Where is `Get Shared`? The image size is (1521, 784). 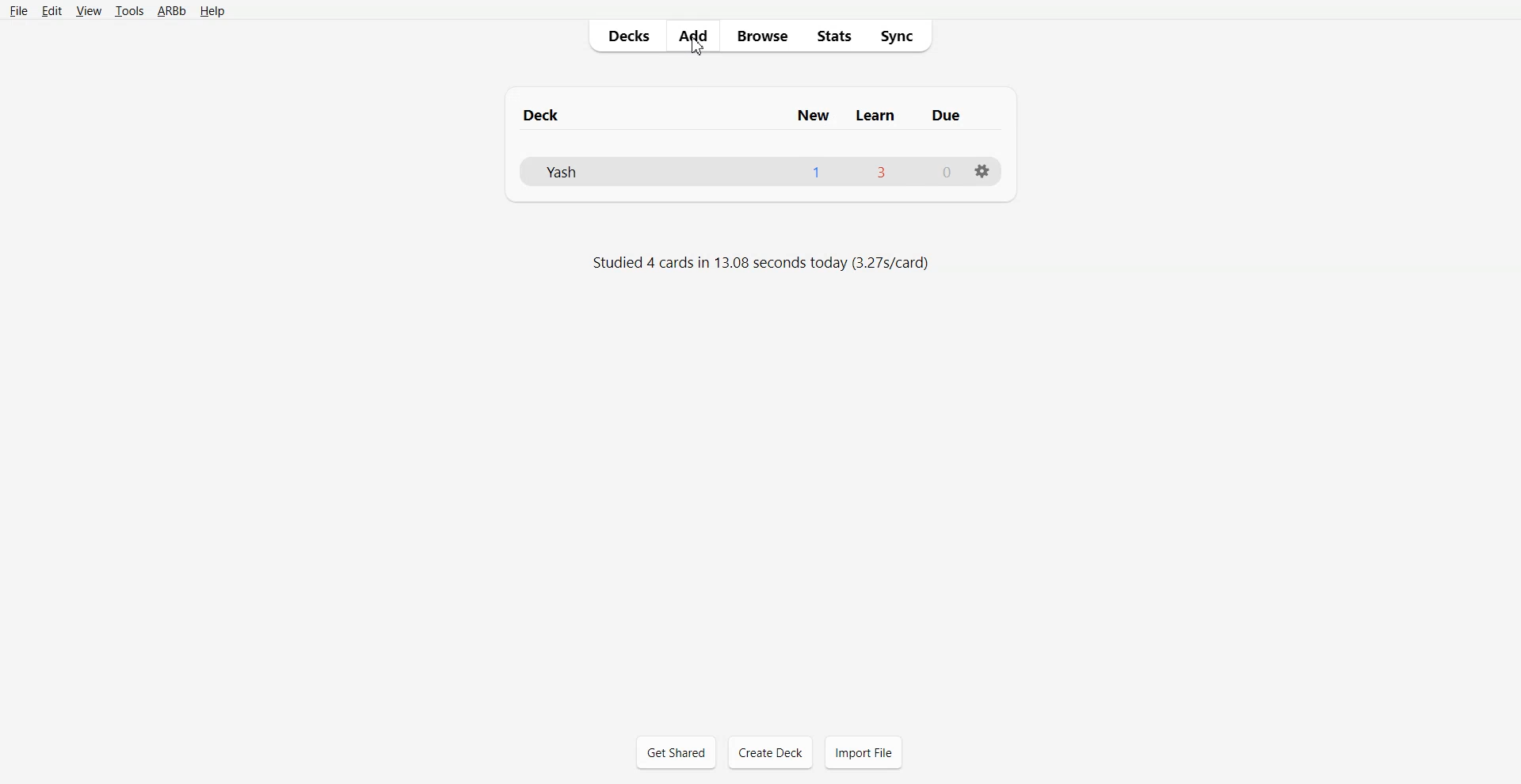
Get Shared is located at coordinates (676, 752).